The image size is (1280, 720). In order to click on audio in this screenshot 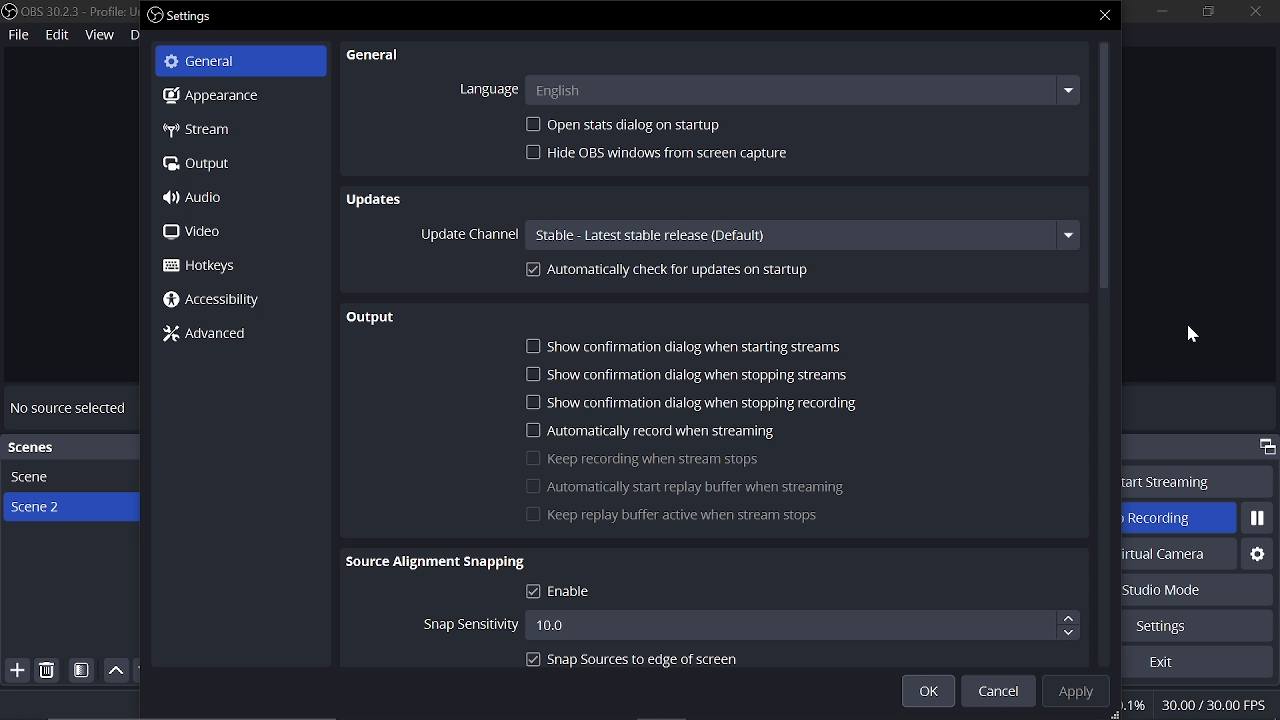, I will do `click(235, 198)`.